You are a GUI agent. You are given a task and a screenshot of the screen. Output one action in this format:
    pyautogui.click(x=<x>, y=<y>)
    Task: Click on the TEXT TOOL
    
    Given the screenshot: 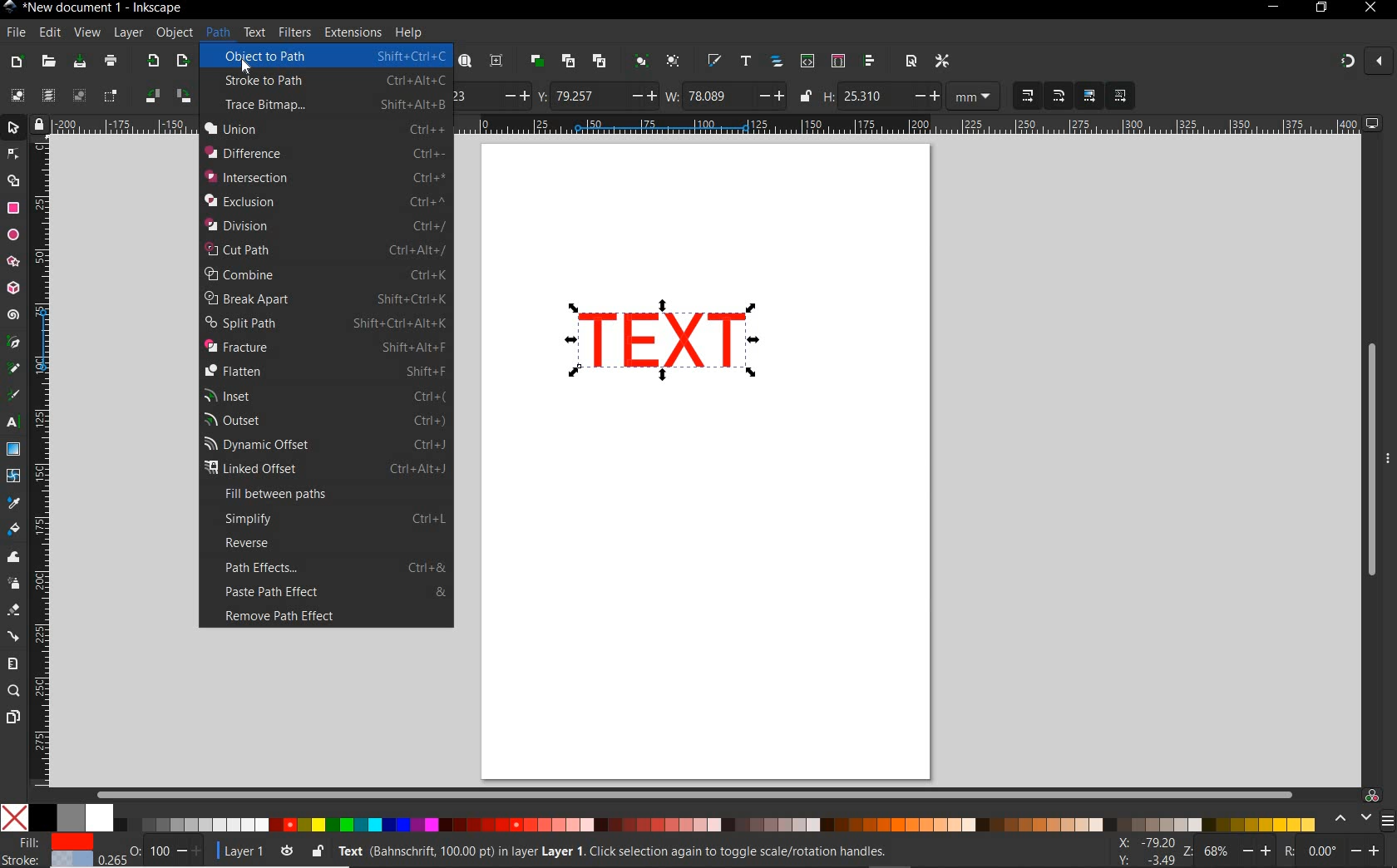 What is the action you would take?
    pyautogui.click(x=15, y=422)
    